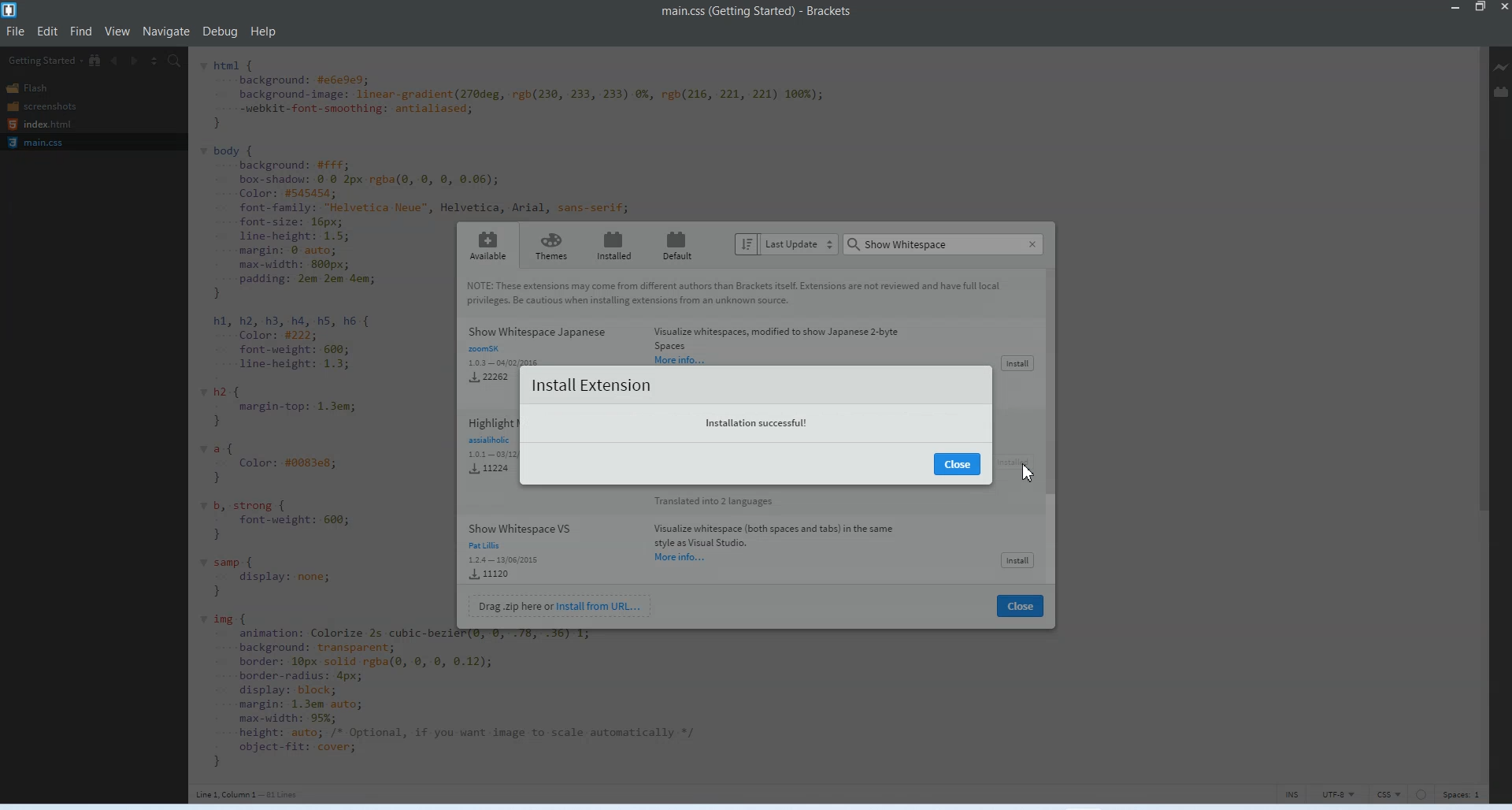 The image size is (1512, 810). I want to click on Spaces 1, so click(1463, 793).